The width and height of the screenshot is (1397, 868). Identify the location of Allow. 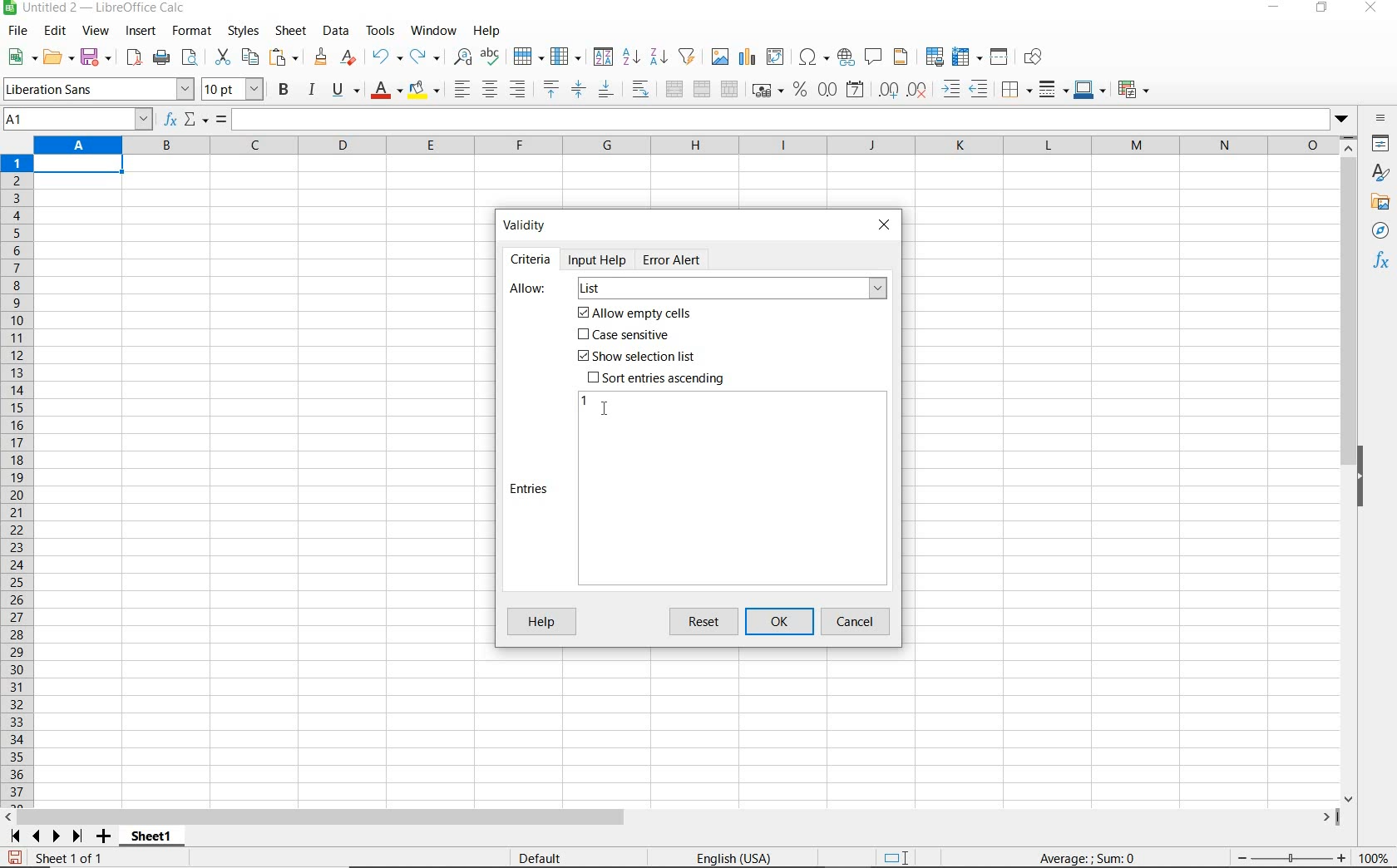
(529, 289).